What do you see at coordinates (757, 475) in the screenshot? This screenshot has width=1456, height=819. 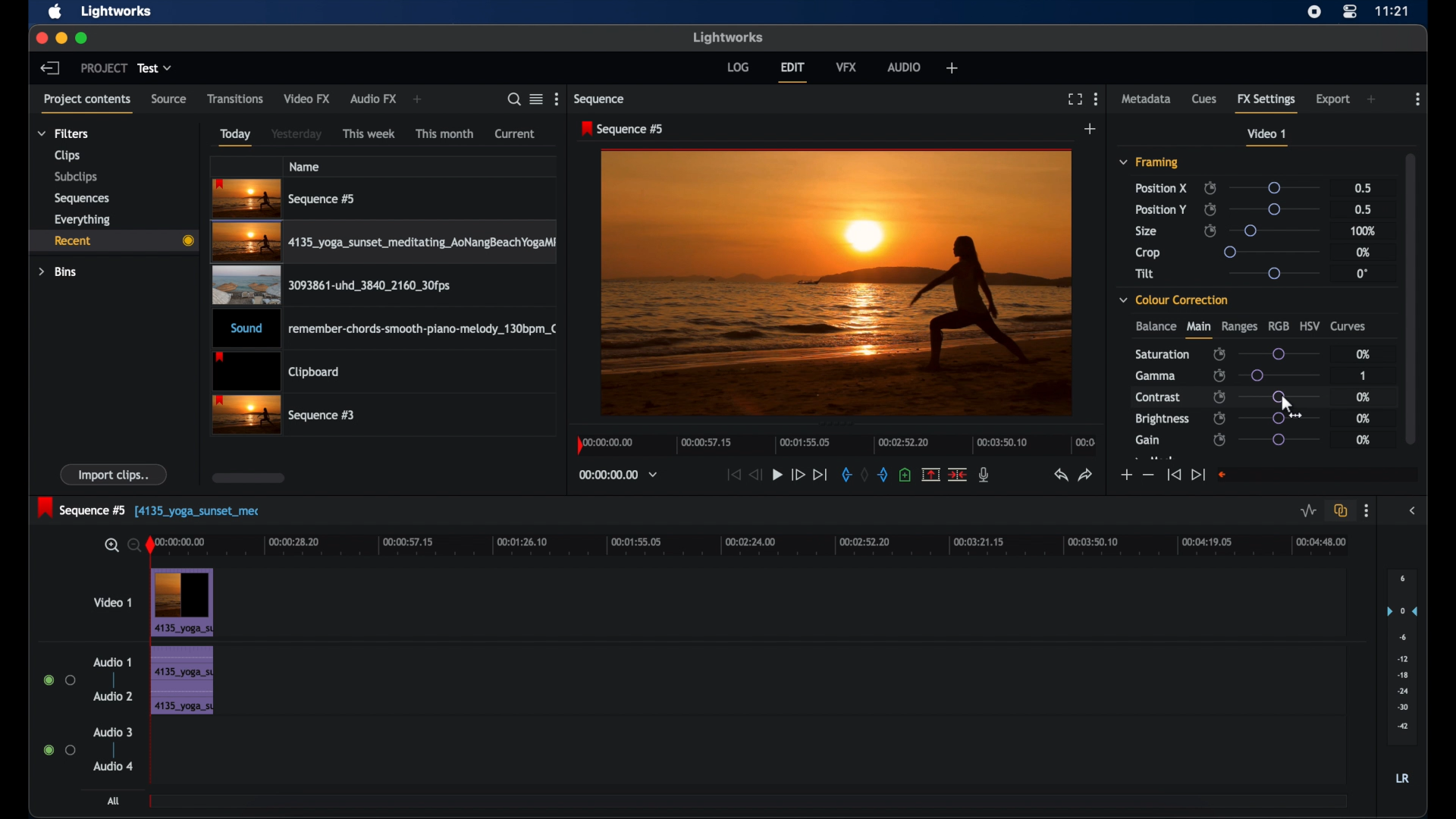 I see `rewind` at bounding box center [757, 475].